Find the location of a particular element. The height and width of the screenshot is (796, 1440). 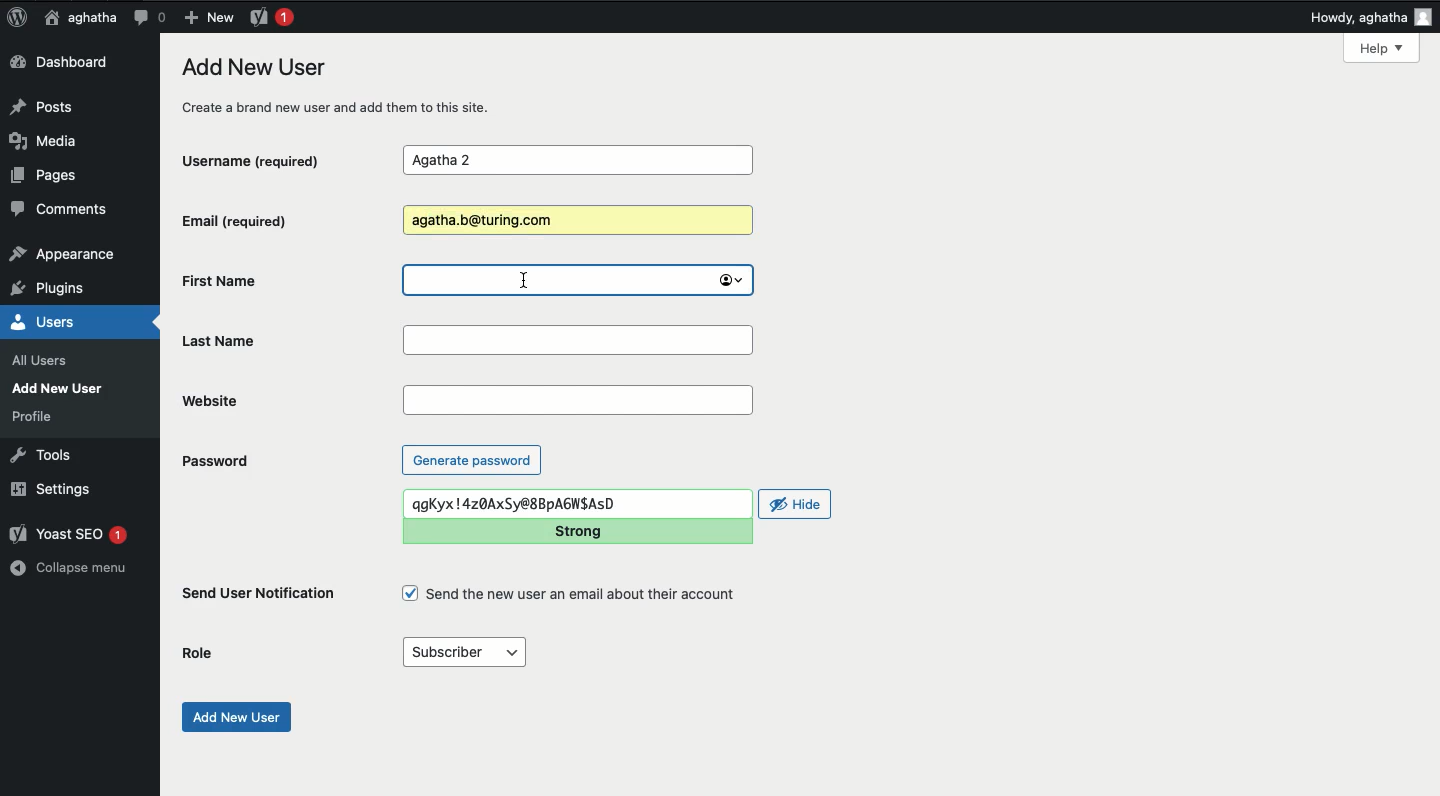

qgKyx | 4z0AxSy@8BpAGWSASD is located at coordinates (580, 504).